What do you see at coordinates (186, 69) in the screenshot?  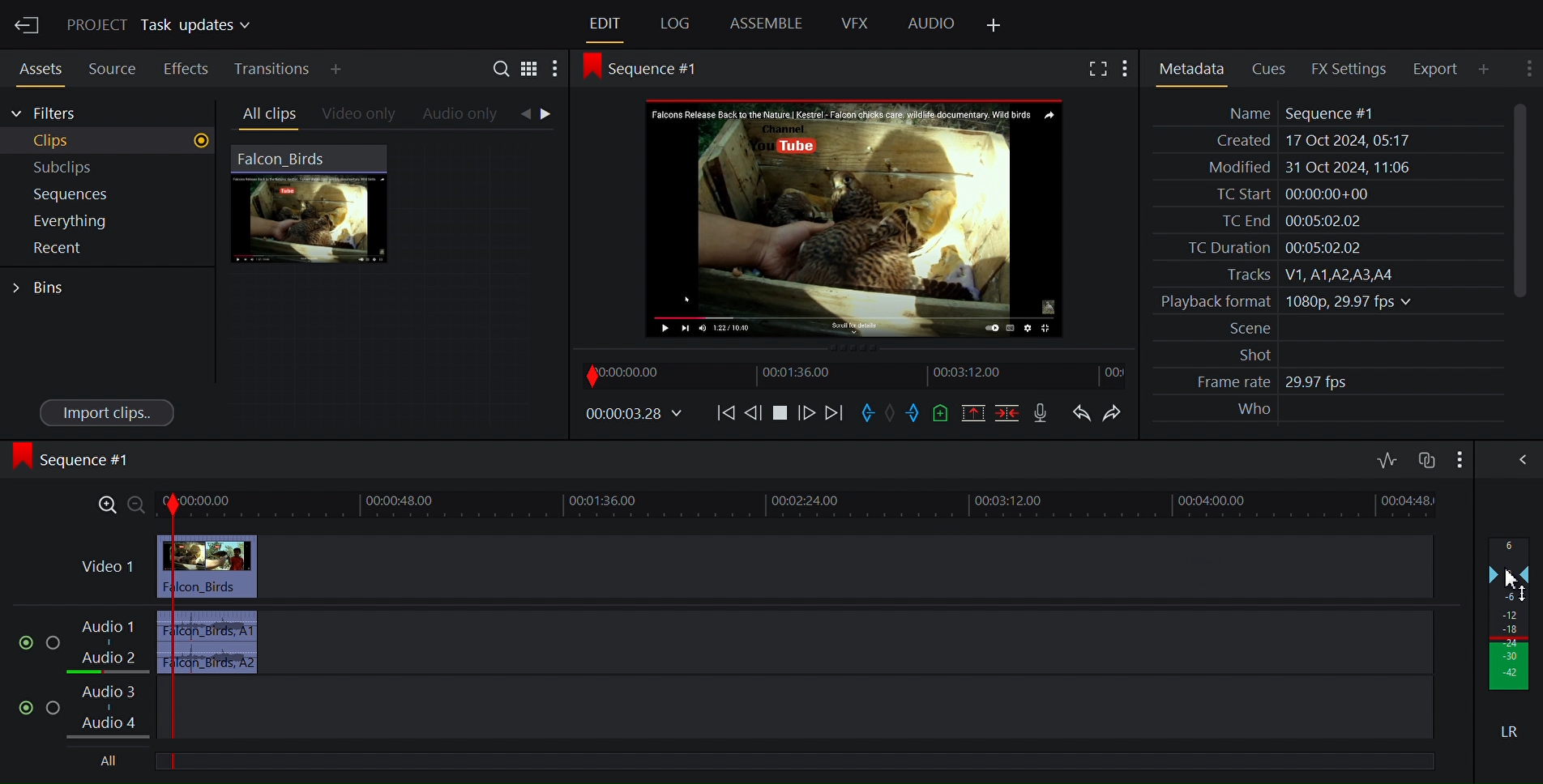 I see `Effects` at bounding box center [186, 69].